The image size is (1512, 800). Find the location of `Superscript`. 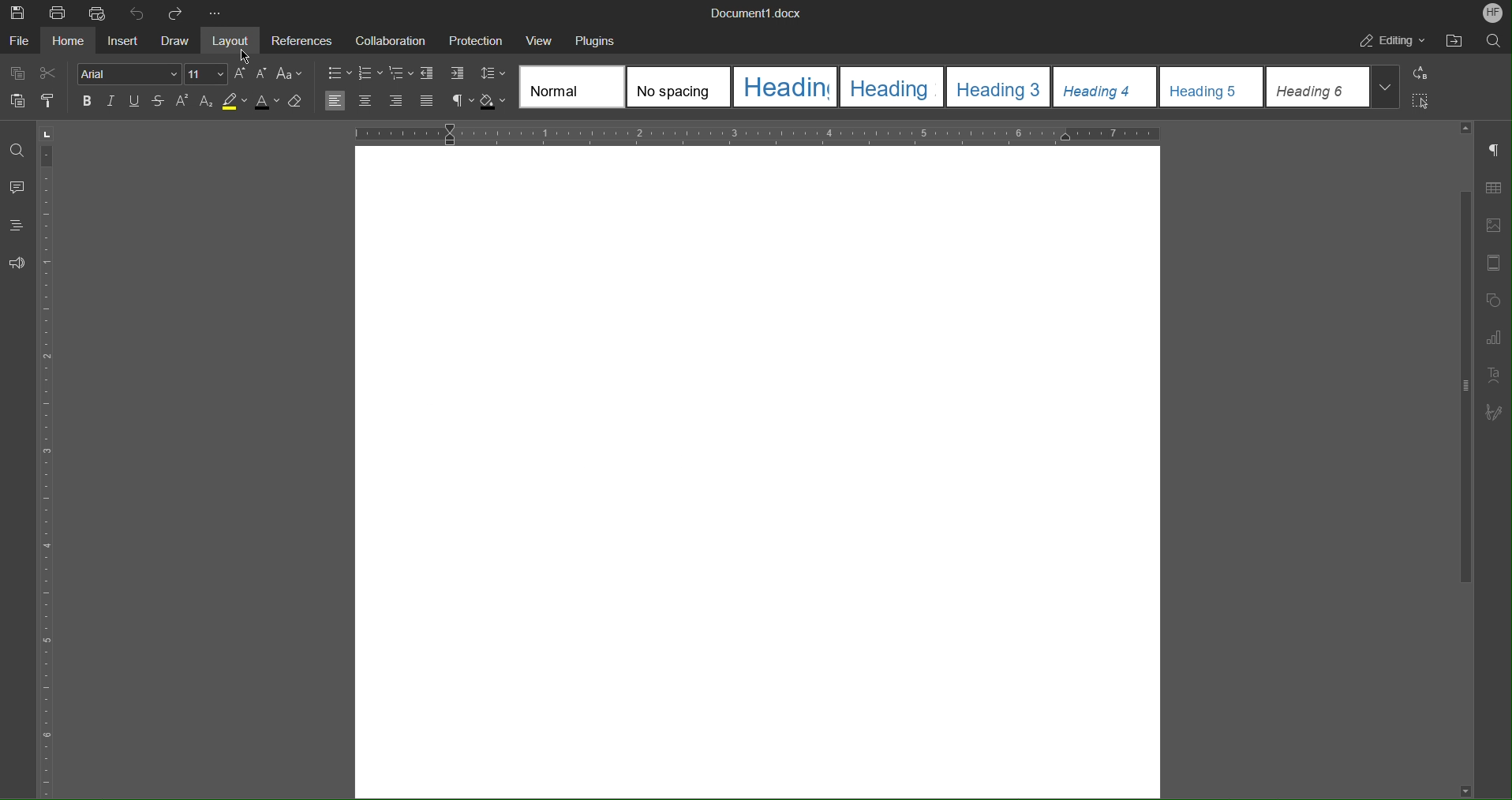

Superscript is located at coordinates (182, 102).